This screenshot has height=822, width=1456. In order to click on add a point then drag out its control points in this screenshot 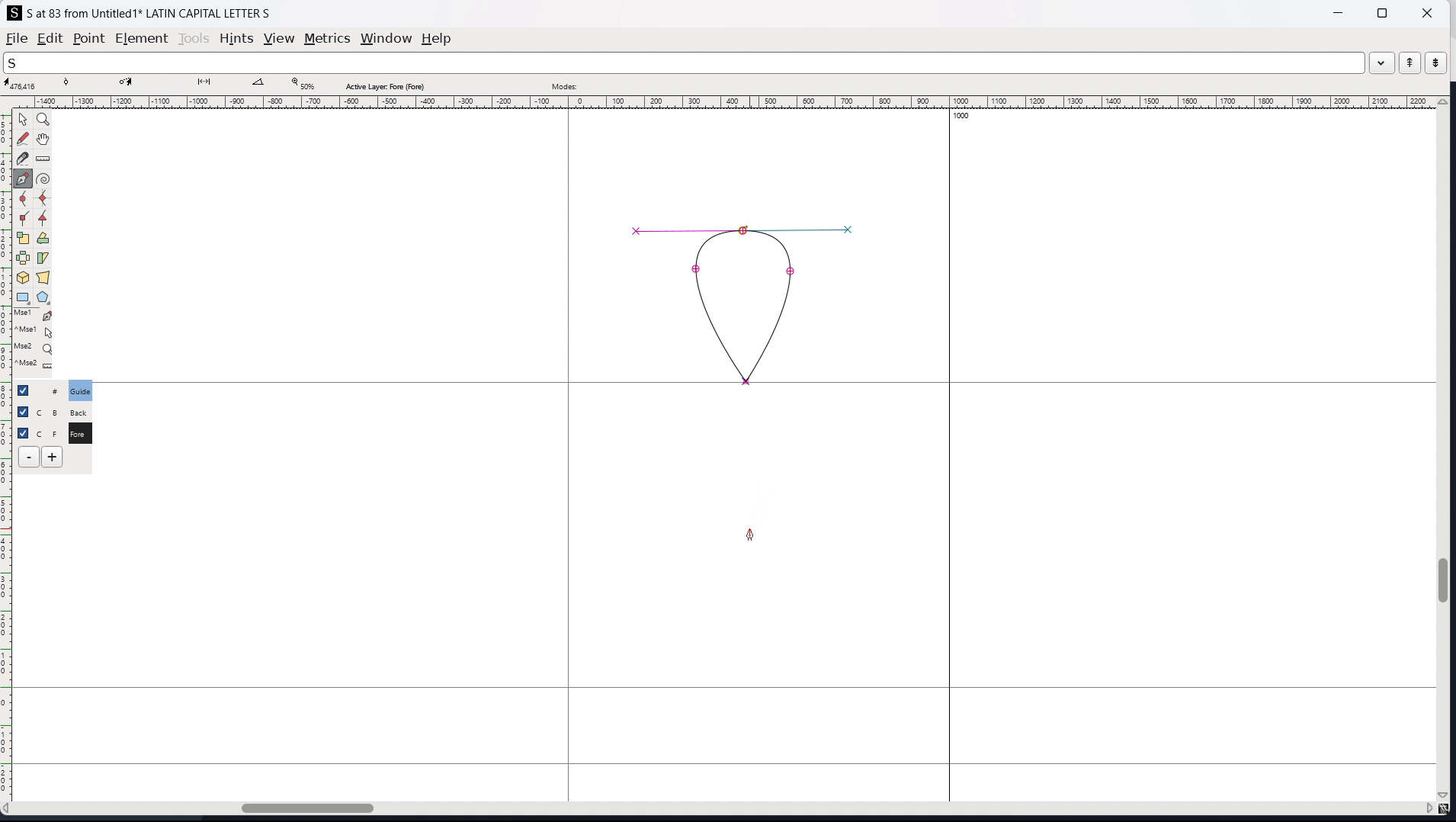, I will do `click(24, 178)`.